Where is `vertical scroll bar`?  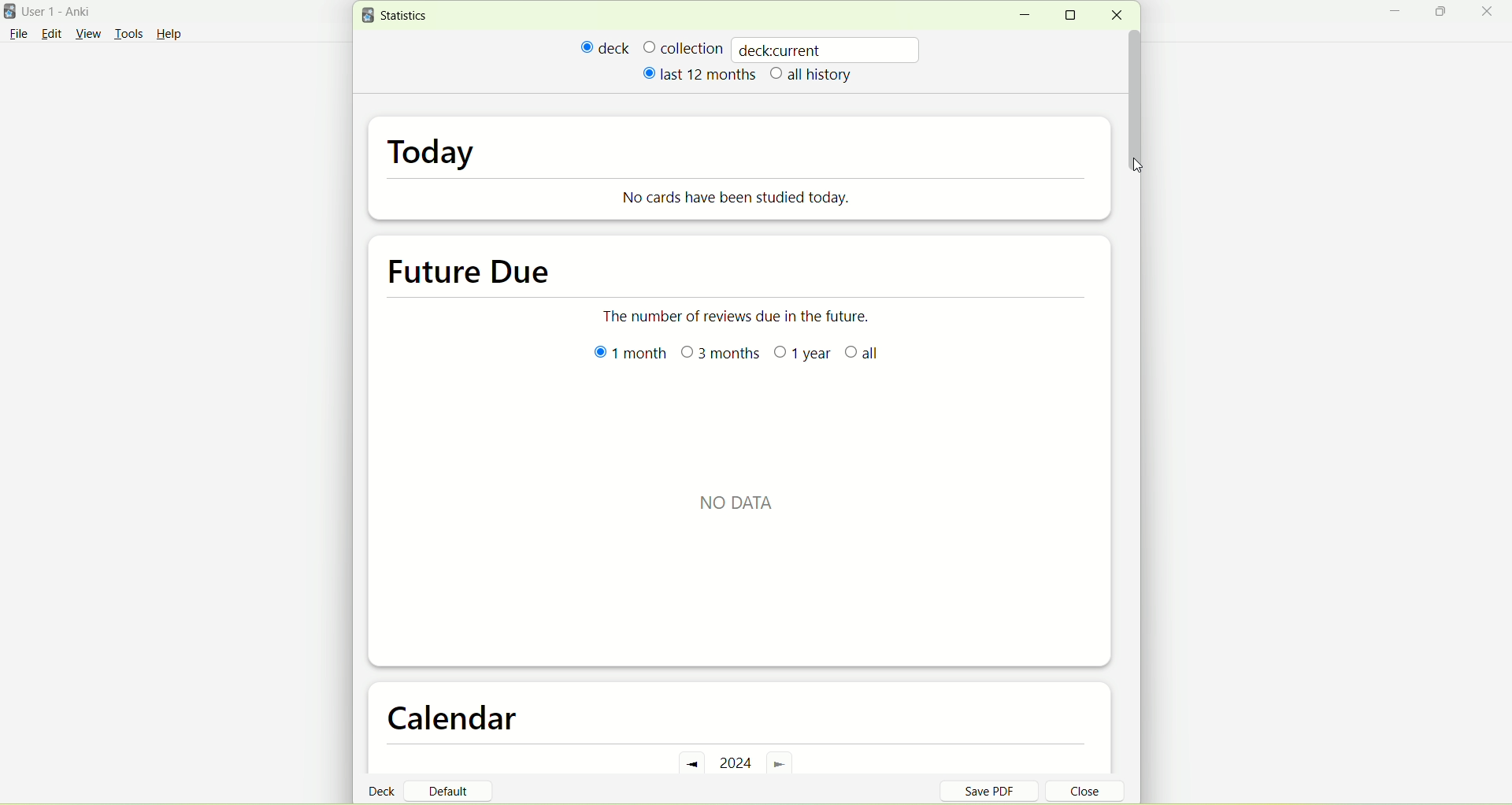 vertical scroll bar is located at coordinates (1132, 414).